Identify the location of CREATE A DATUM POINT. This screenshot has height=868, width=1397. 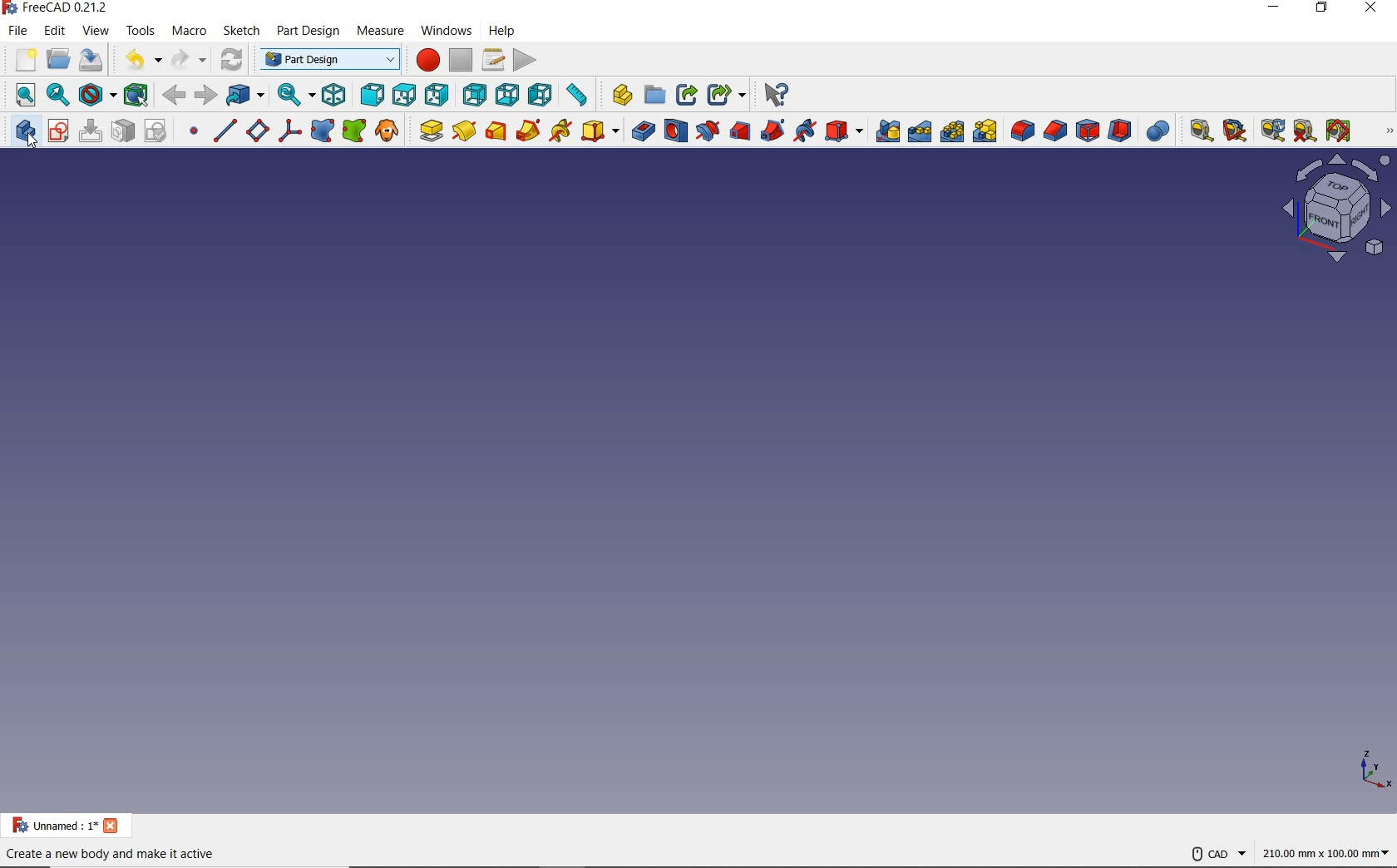
(195, 132).